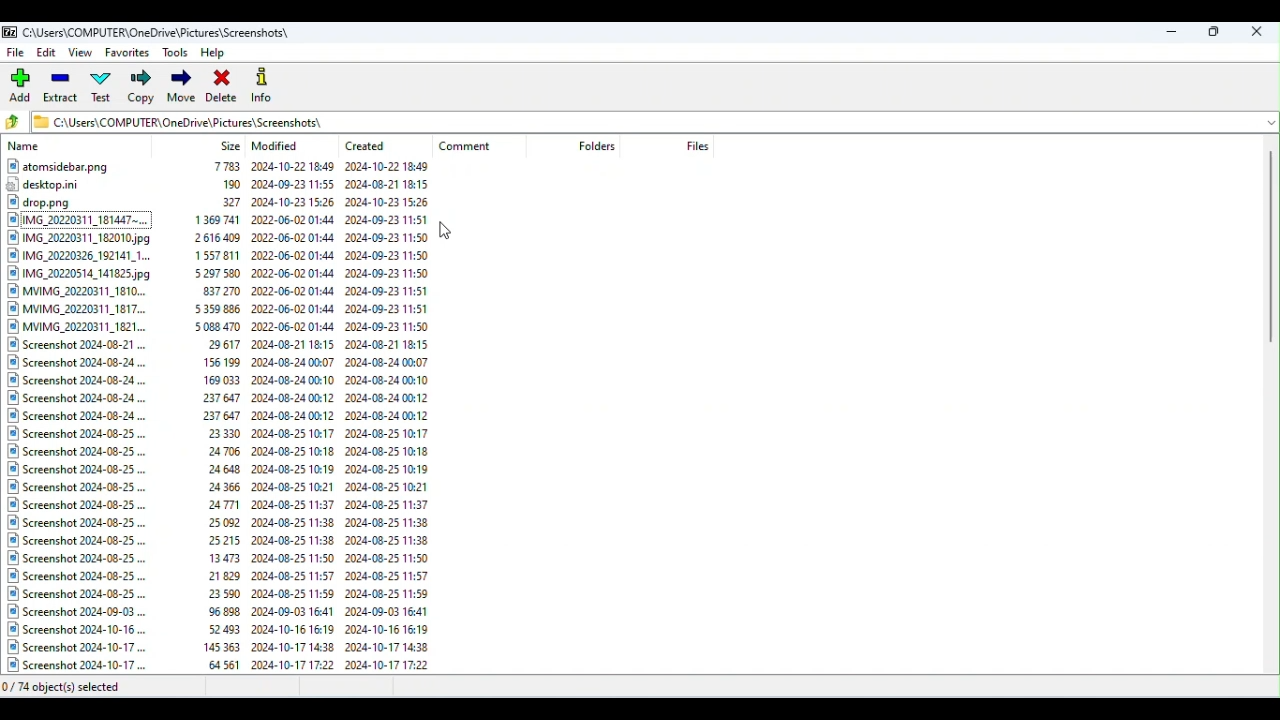  I want to click on Files, so click(219, 416).